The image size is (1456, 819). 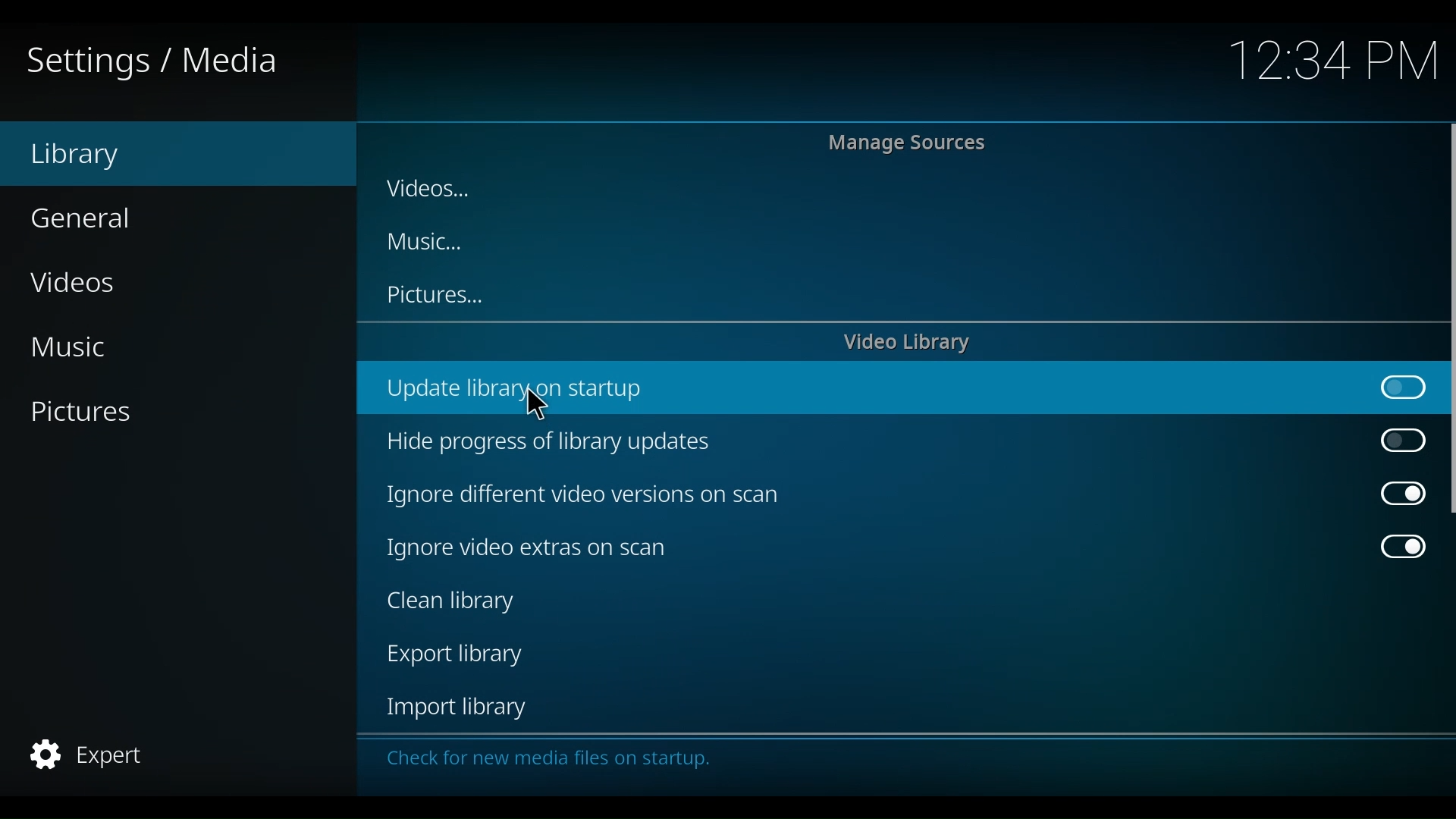 What do you see at coordinates (1447, 317) in the screenshot?
I see `Vertical scroll bar` at bounding box center [1447, 317].